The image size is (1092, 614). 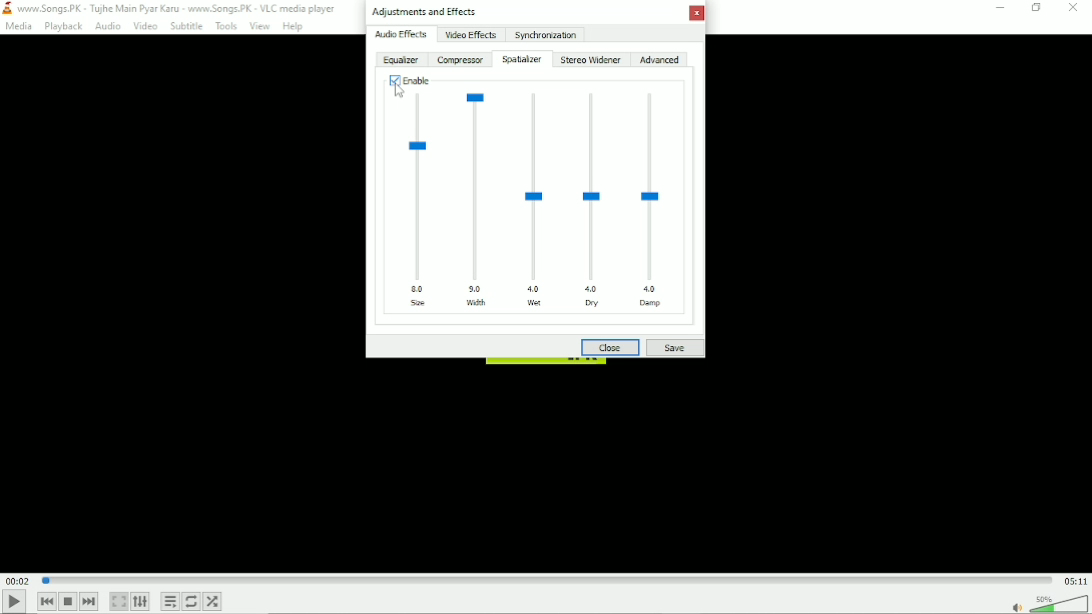 I want to click on Show extended settings, so click(x=140, y=601).